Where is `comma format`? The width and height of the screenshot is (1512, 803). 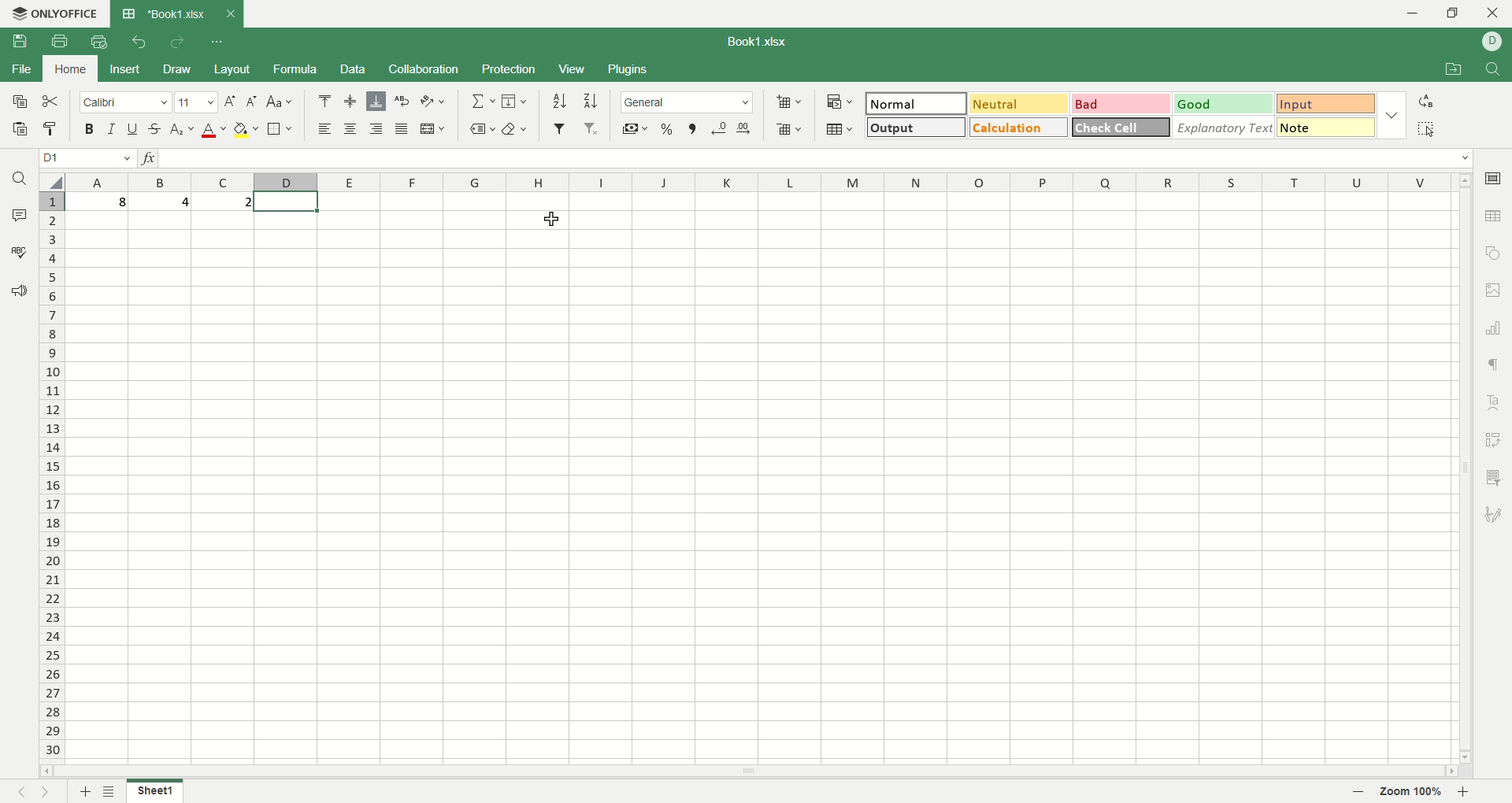
comma format is located at coordinates (693, 129).